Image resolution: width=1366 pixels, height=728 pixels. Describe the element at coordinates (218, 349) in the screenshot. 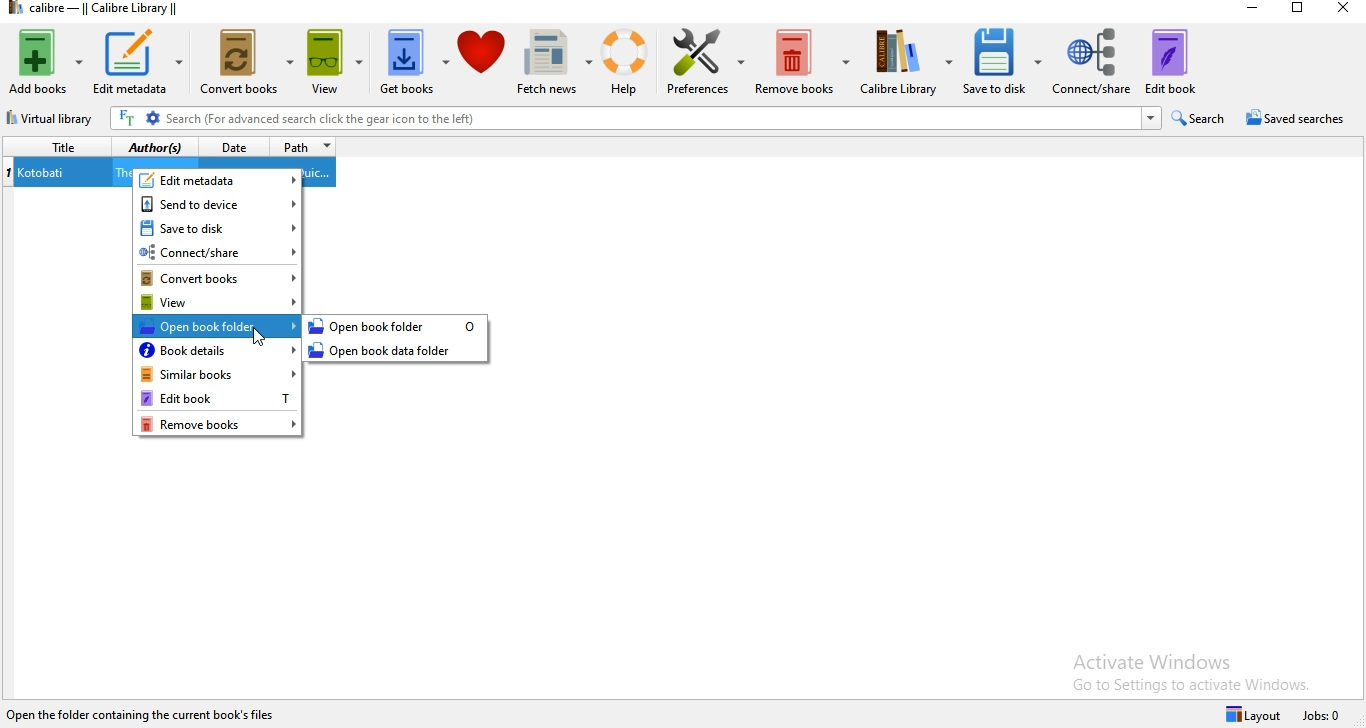

I see `book details` at that location.